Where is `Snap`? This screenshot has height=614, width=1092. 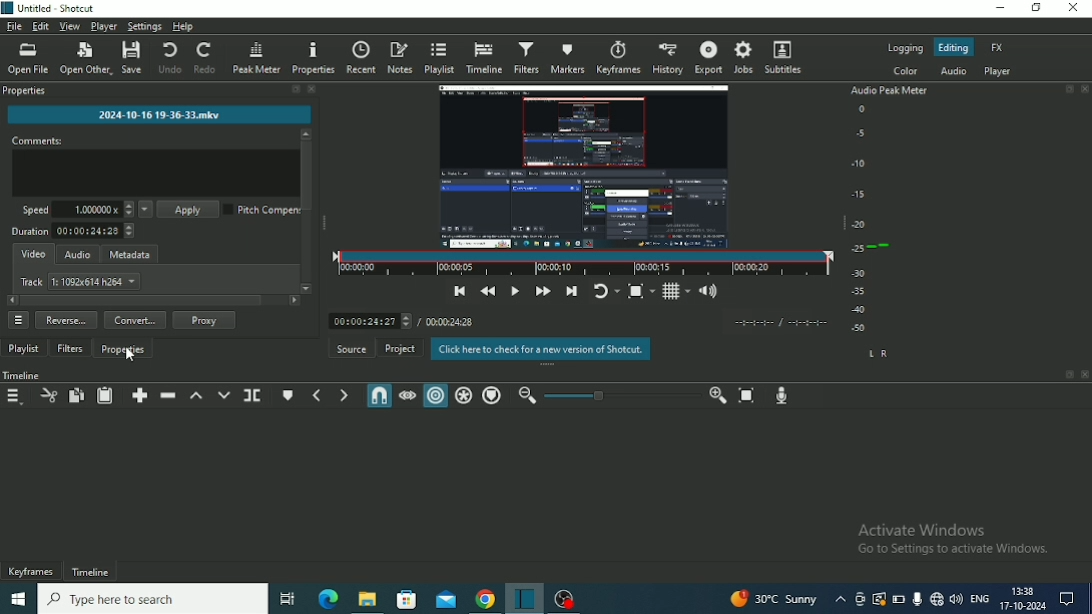
Snap is located at coordinates (378, 395).